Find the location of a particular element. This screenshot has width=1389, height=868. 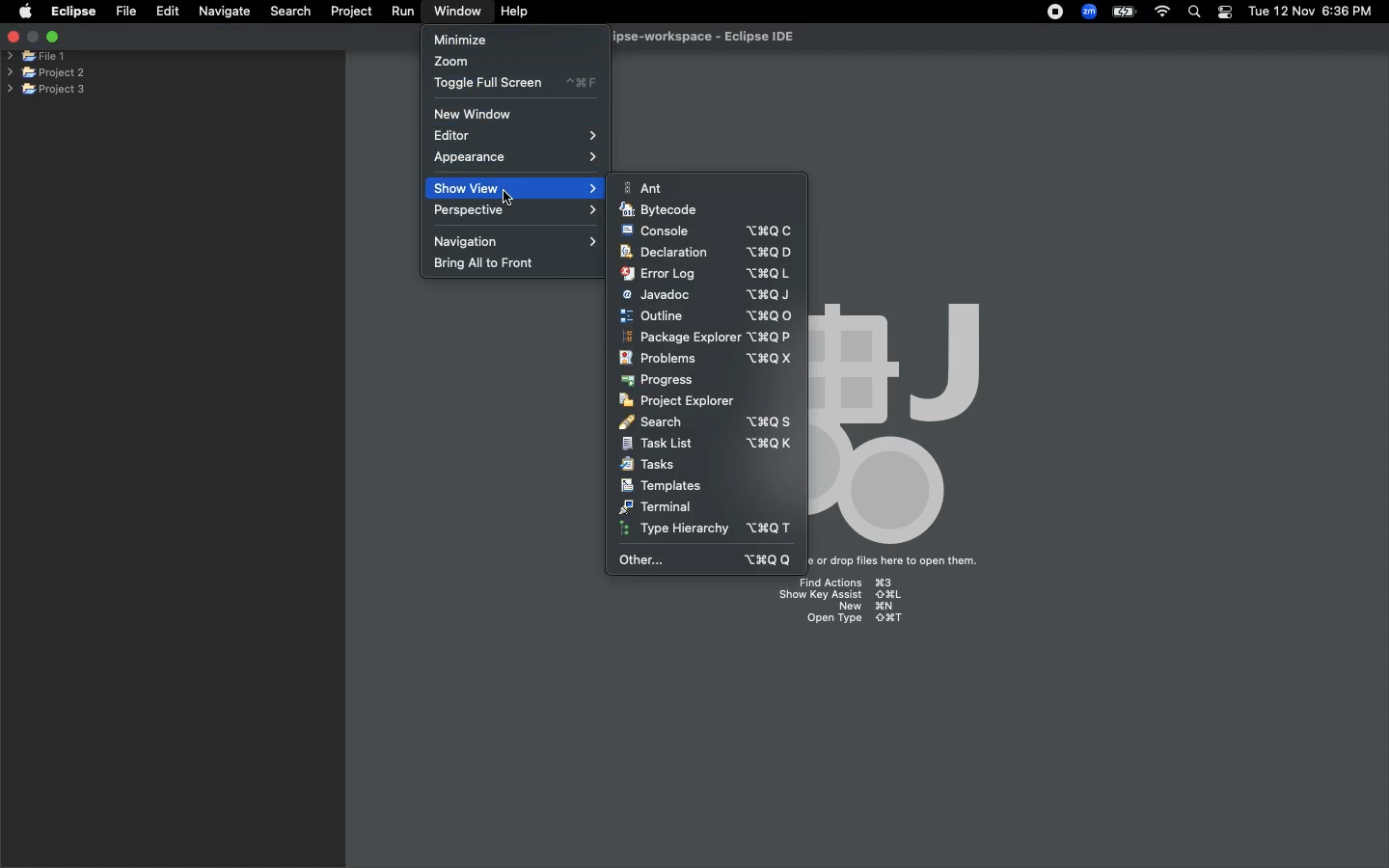

Edit is located at coordinates (168, 12).